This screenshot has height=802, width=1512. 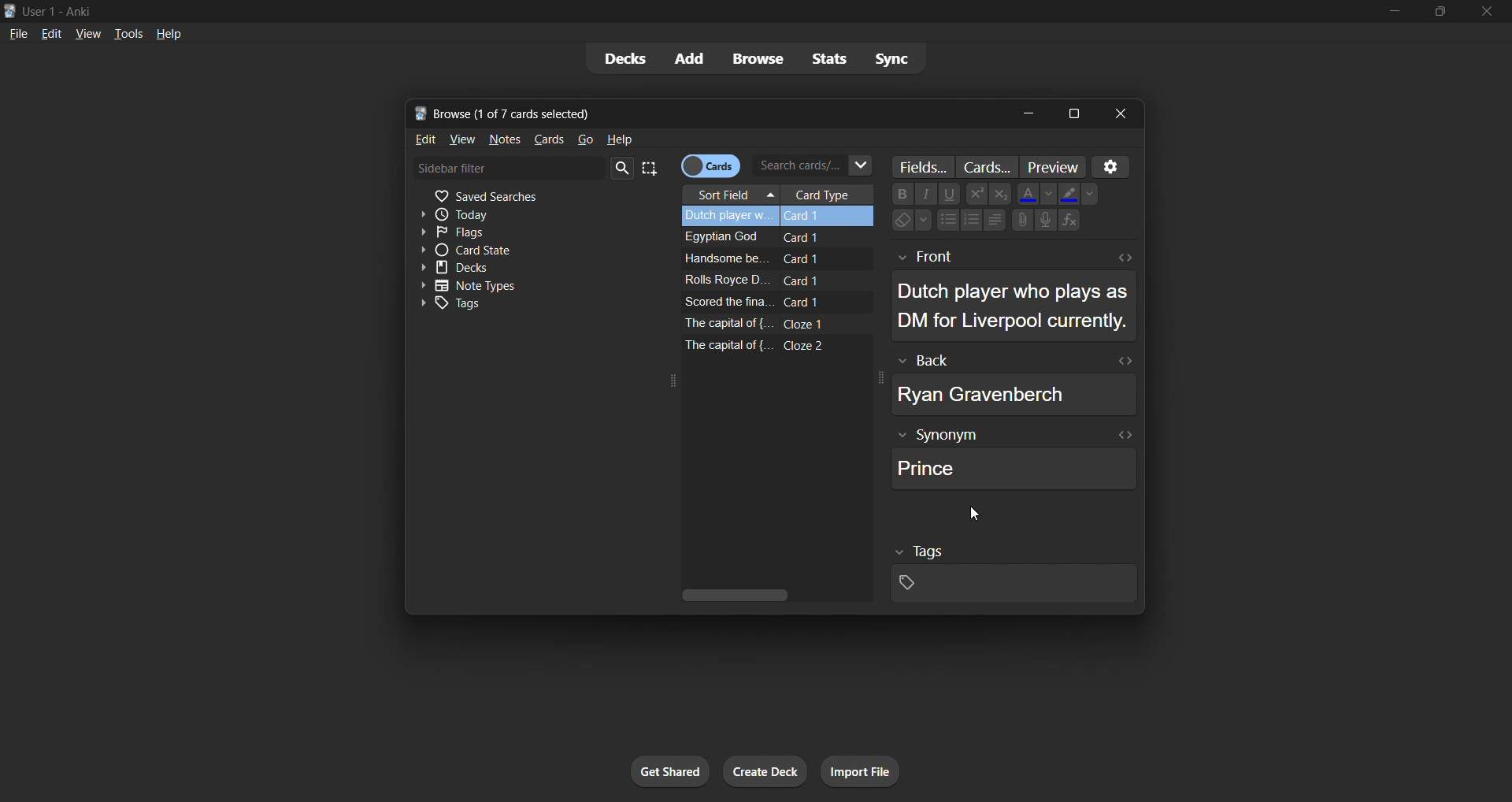 I want to click on Speaker, so click(x=1046, y=220).